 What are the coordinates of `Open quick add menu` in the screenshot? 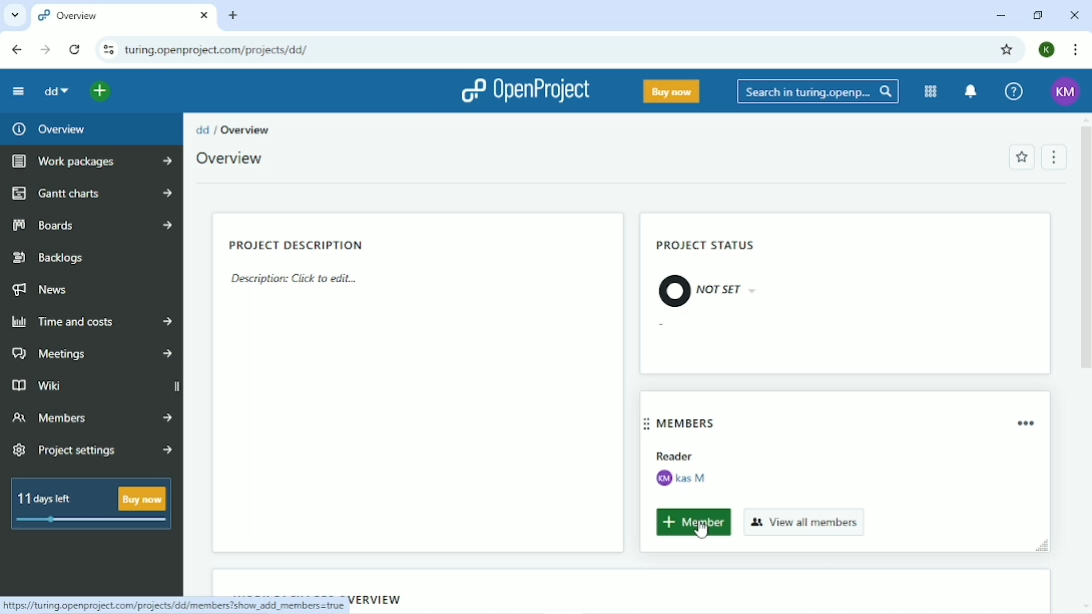 It's located at (162, 91).